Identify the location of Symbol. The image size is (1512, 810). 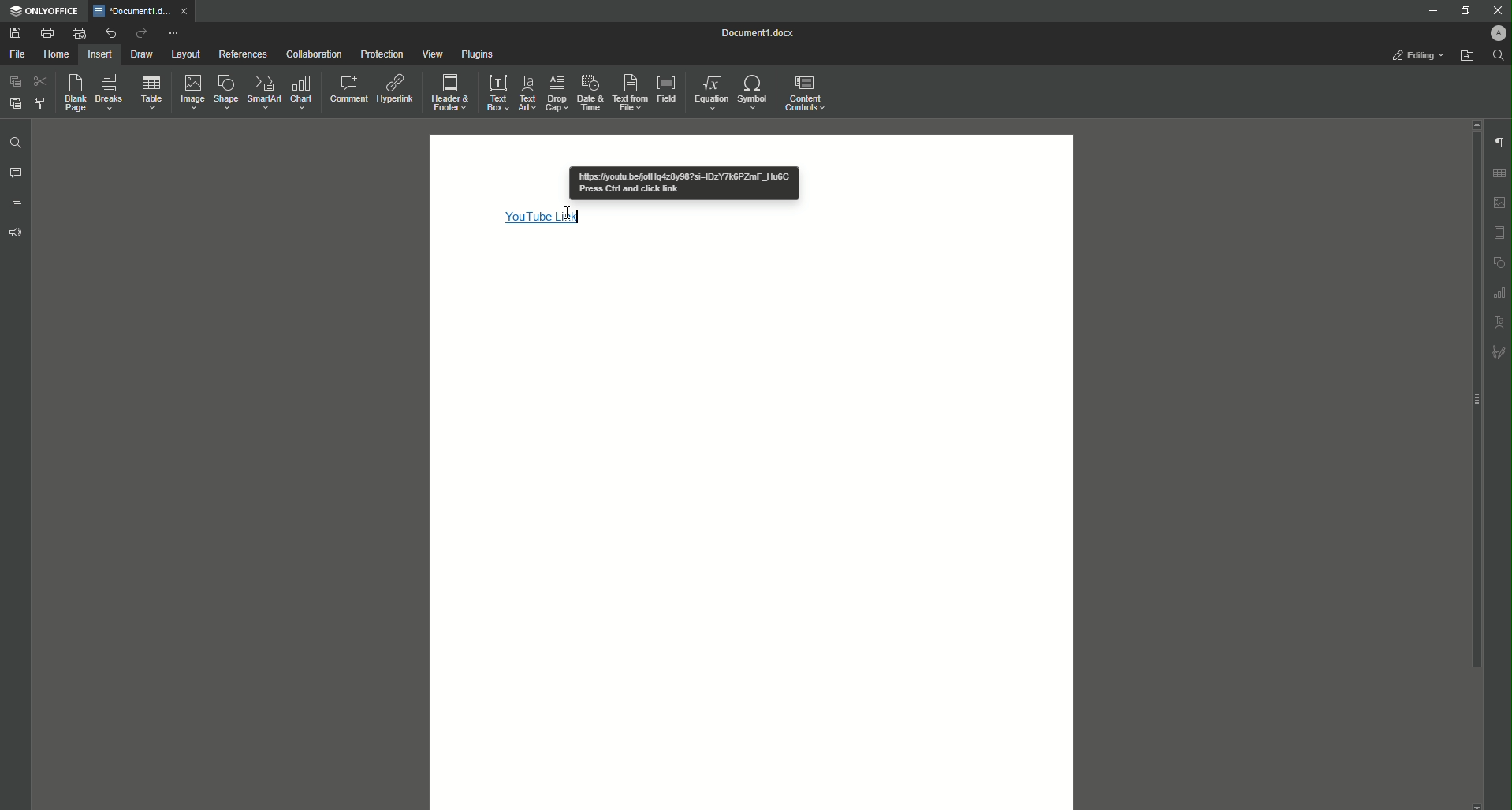
(754, 91).